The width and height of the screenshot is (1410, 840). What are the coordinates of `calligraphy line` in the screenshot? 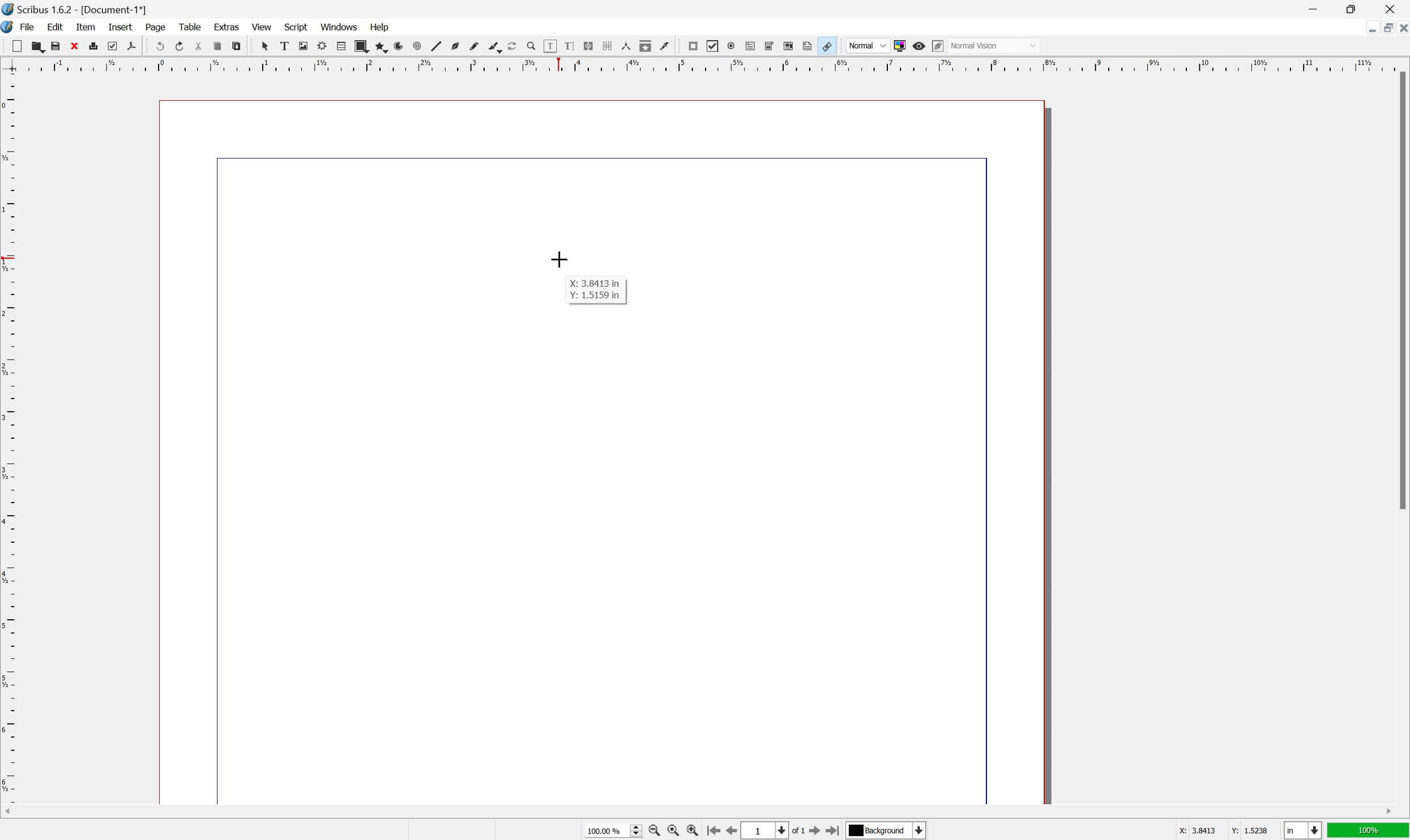 It's located at (494, 46).